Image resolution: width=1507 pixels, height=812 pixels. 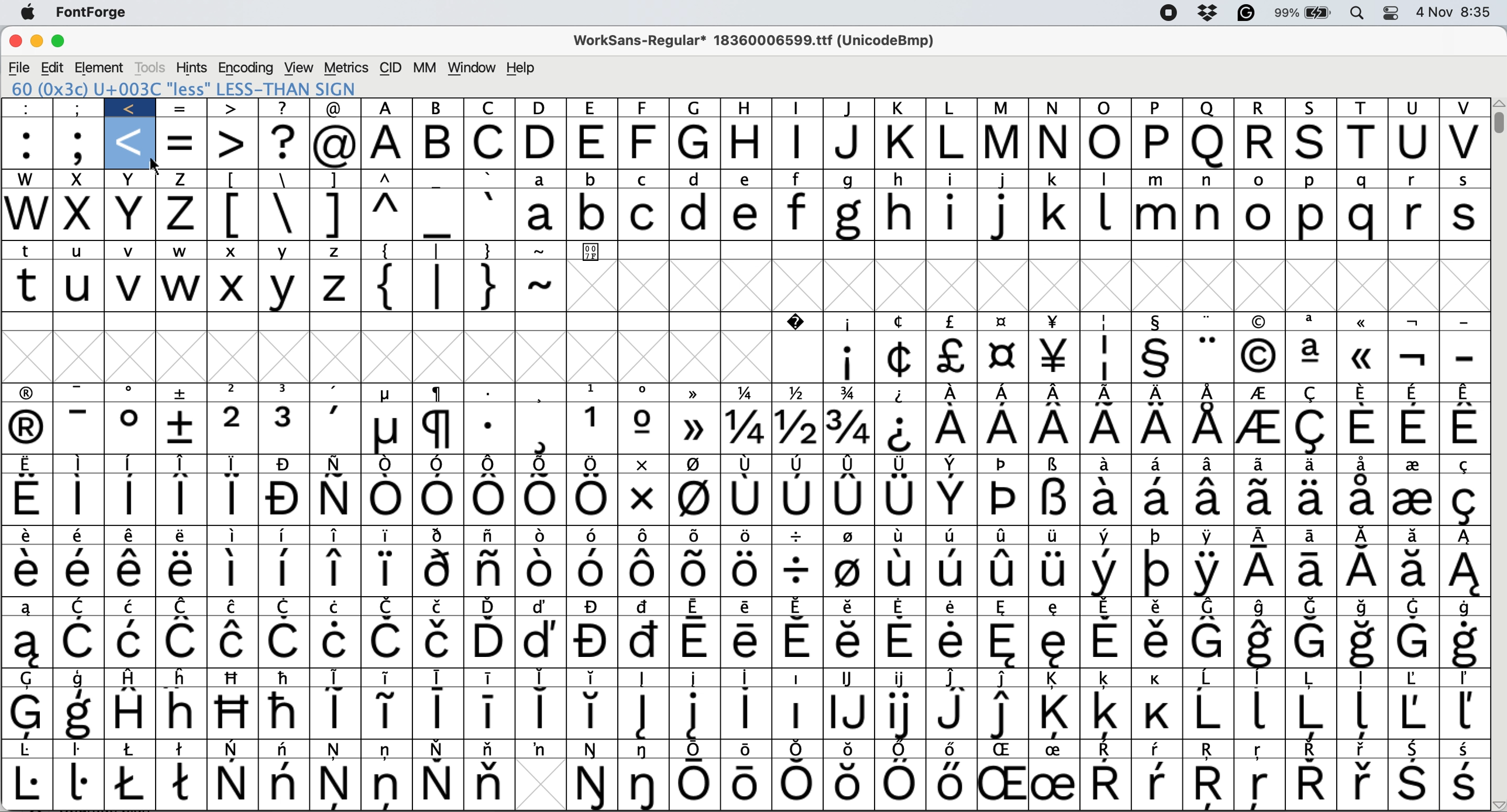 I want to click on symbol, so click(x=900, y=608).